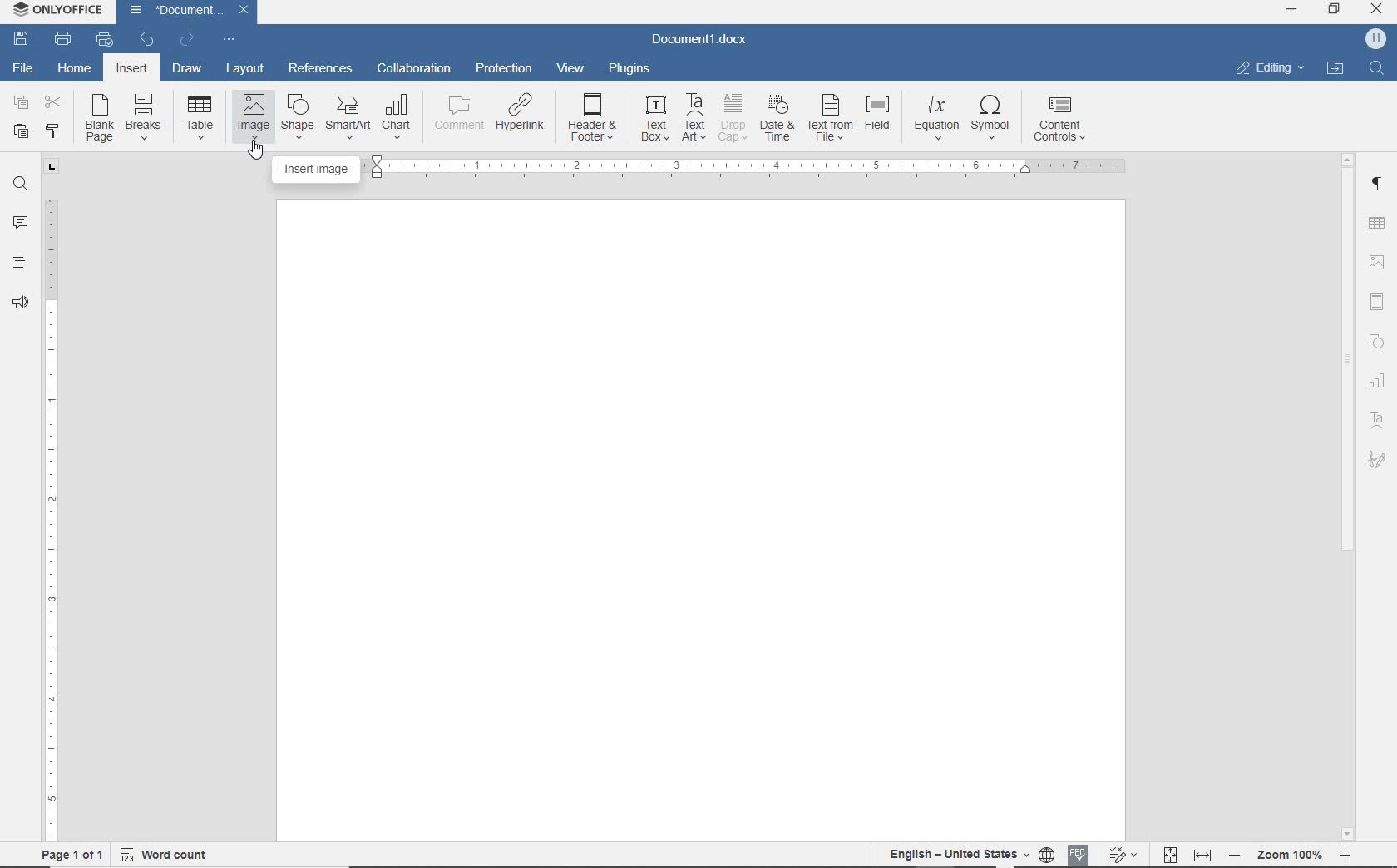 The height and width of the screenshot is (868, 1397). Describe the element at coordinates (53, 101) in the screenshot. I see `cut` at that location.